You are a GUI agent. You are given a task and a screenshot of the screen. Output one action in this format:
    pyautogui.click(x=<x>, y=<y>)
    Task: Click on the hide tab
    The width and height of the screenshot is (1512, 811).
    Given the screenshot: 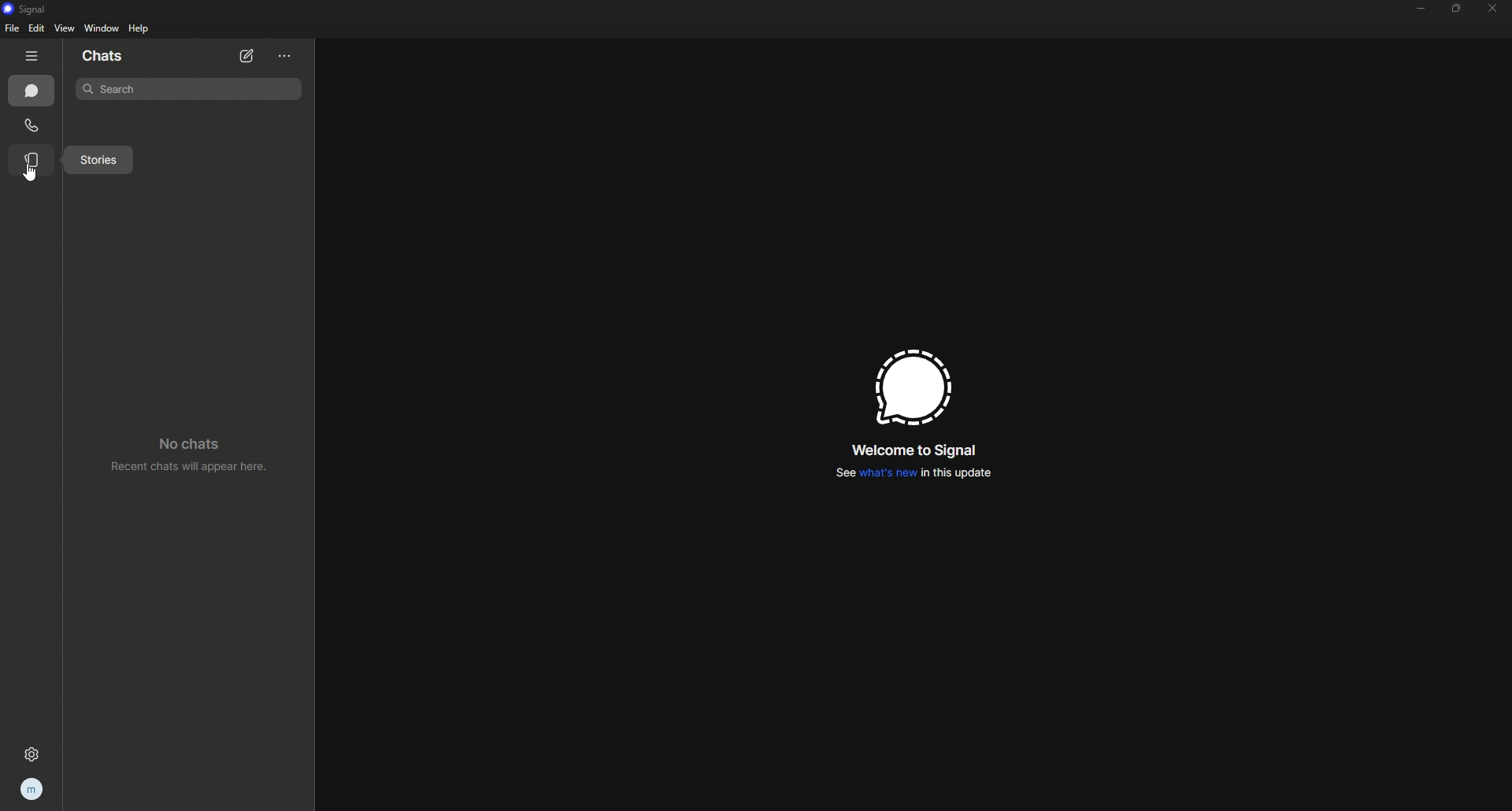 What is the action you would take?
    pyautogui.click(x=31, y=56)
    